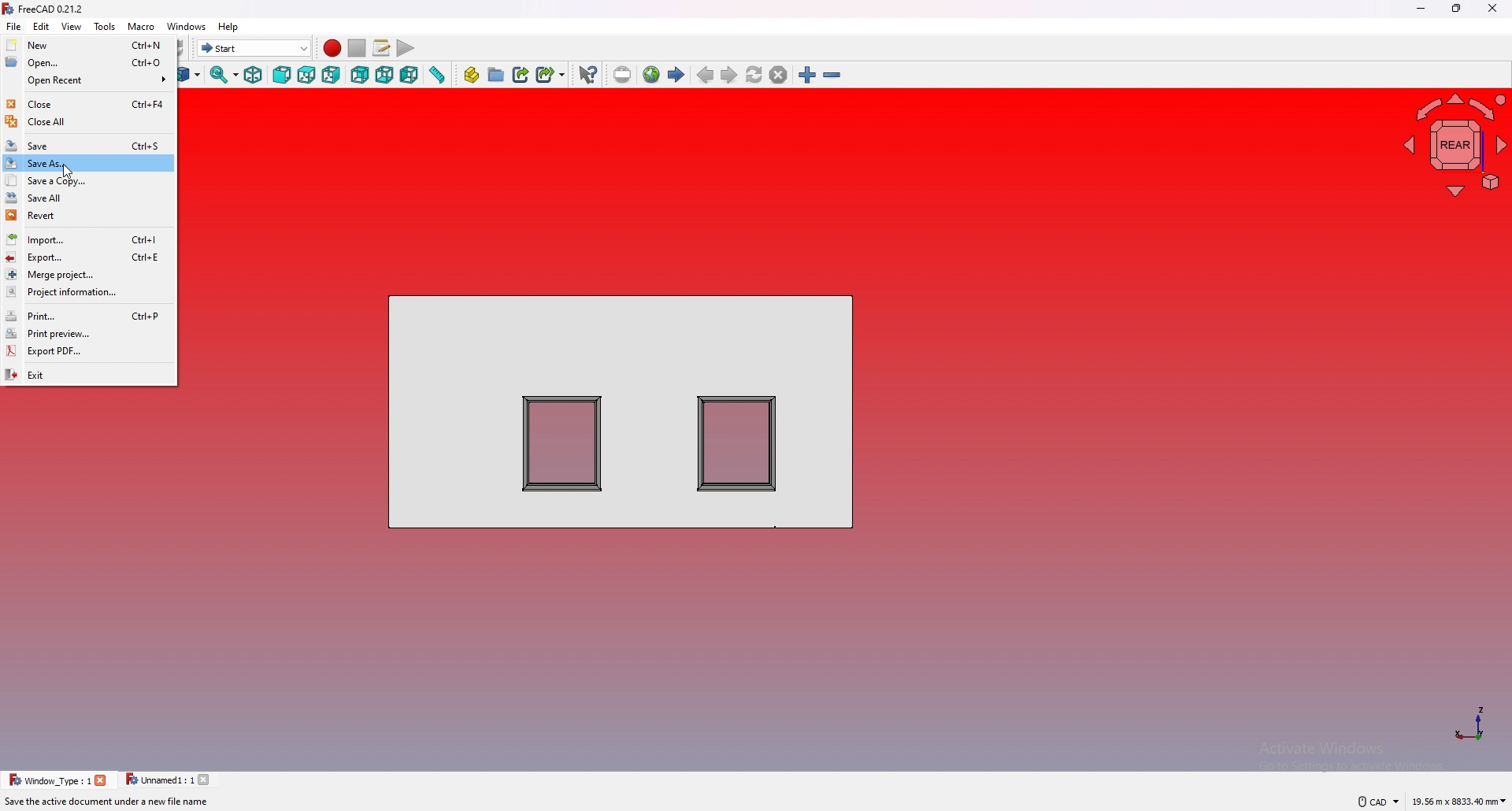  I want to click on stop macros, so click(357, 48).